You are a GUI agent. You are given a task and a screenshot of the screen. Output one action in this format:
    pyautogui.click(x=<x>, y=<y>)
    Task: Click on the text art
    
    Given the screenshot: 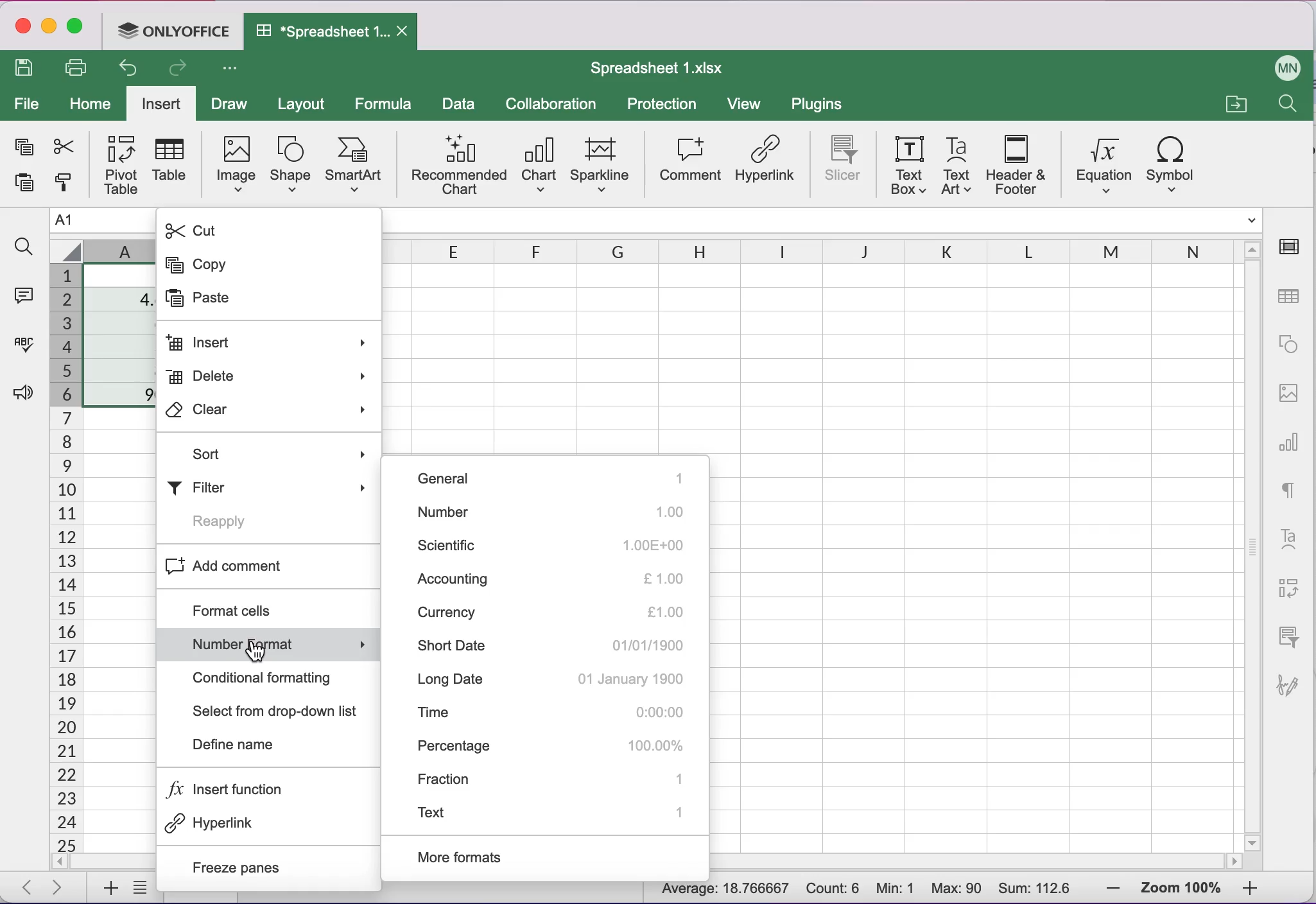 What is the action you would take?
    pyautogui.click(x=1288, y=542)
    